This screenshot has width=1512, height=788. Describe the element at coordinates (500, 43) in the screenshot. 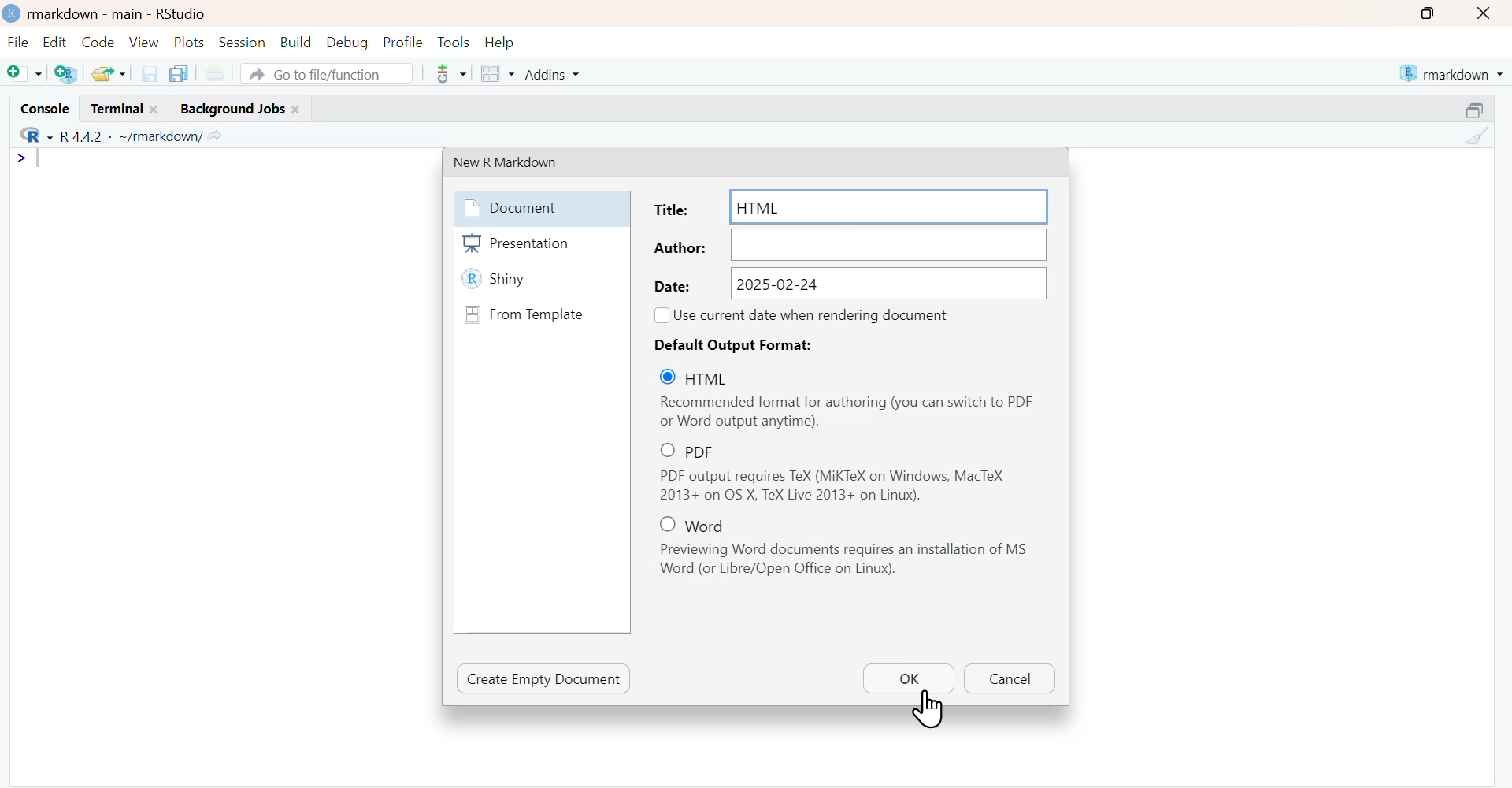

I see `Help` at that location.